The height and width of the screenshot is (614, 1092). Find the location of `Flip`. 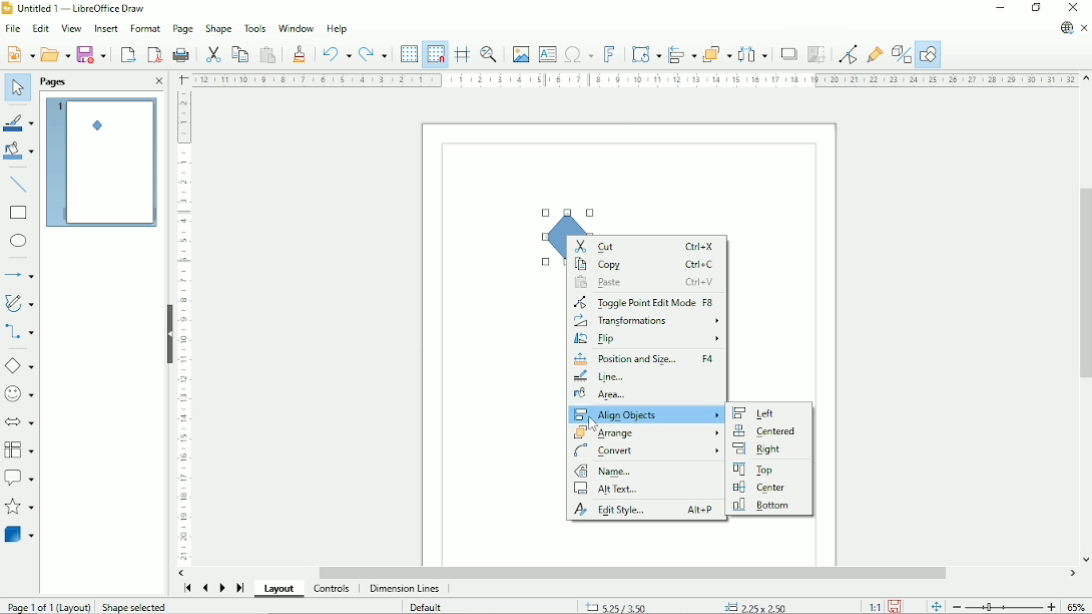

Flip is located at coordinates (646, 341).